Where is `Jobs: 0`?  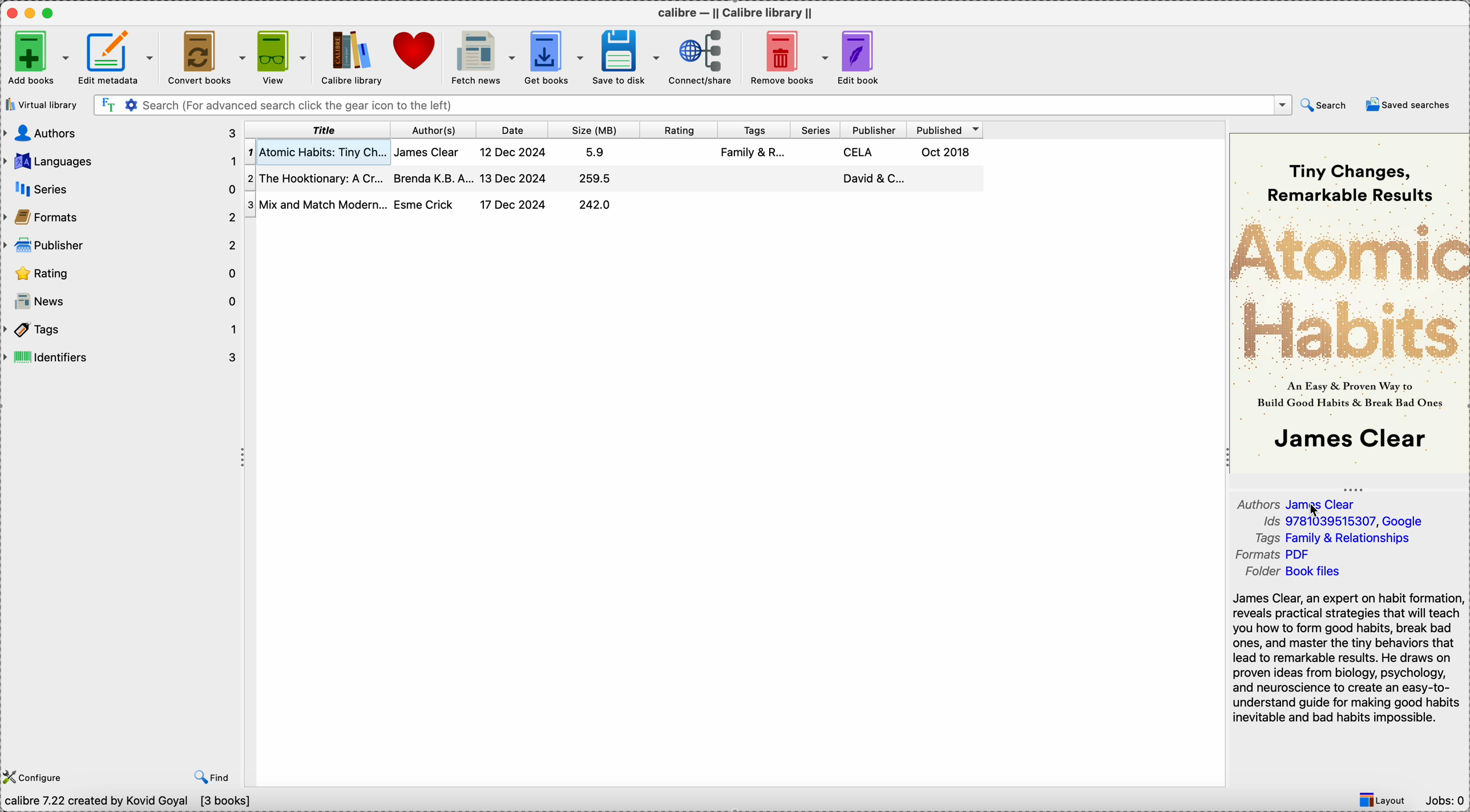 Jobs: 0 is located at coordinates (1444, 802).